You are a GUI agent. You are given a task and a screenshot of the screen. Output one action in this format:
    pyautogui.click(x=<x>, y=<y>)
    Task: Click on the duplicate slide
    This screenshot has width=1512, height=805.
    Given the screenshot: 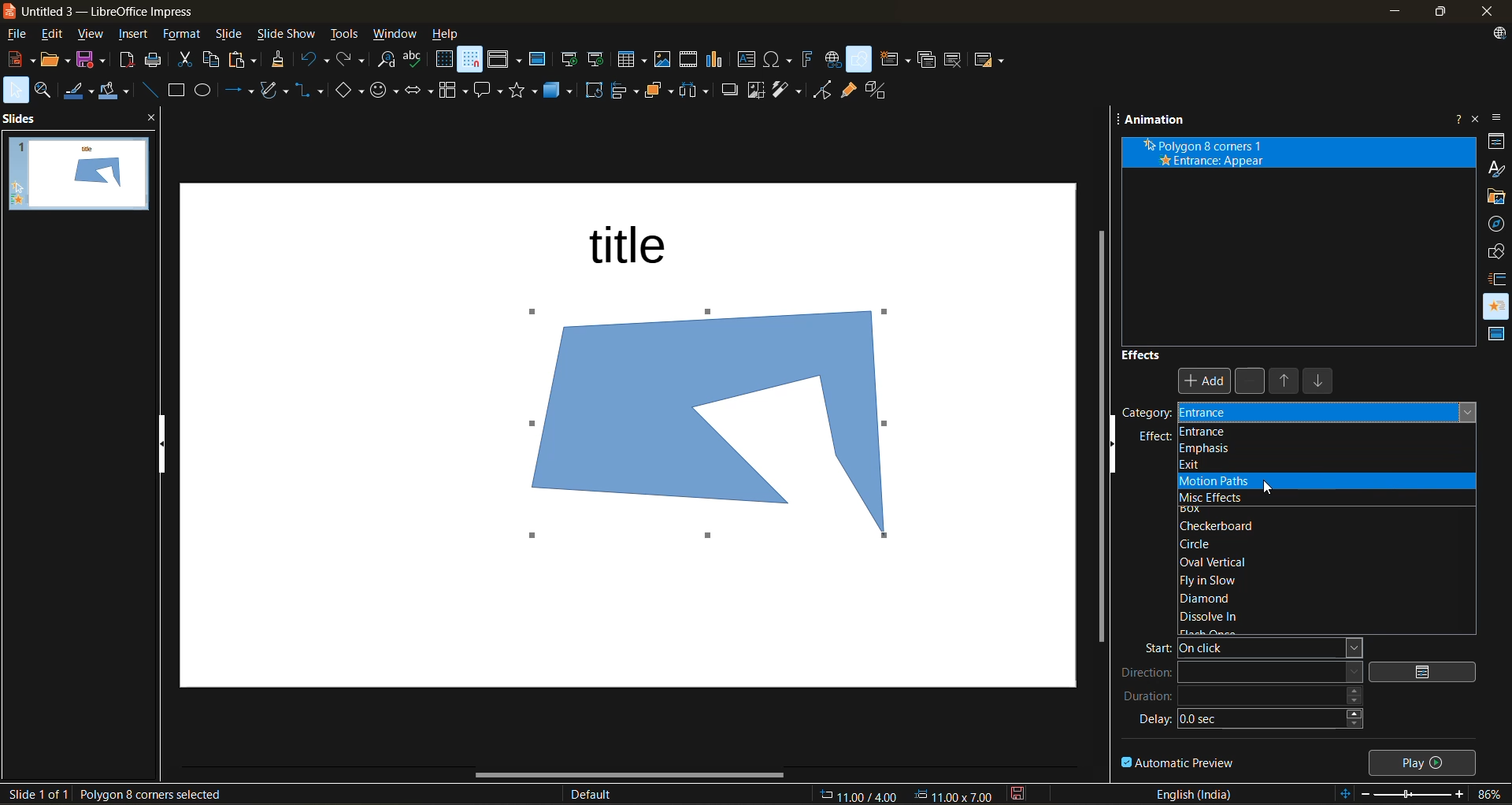 What is the action you would take?
    pyautogui.click(x=927, y=60)
    